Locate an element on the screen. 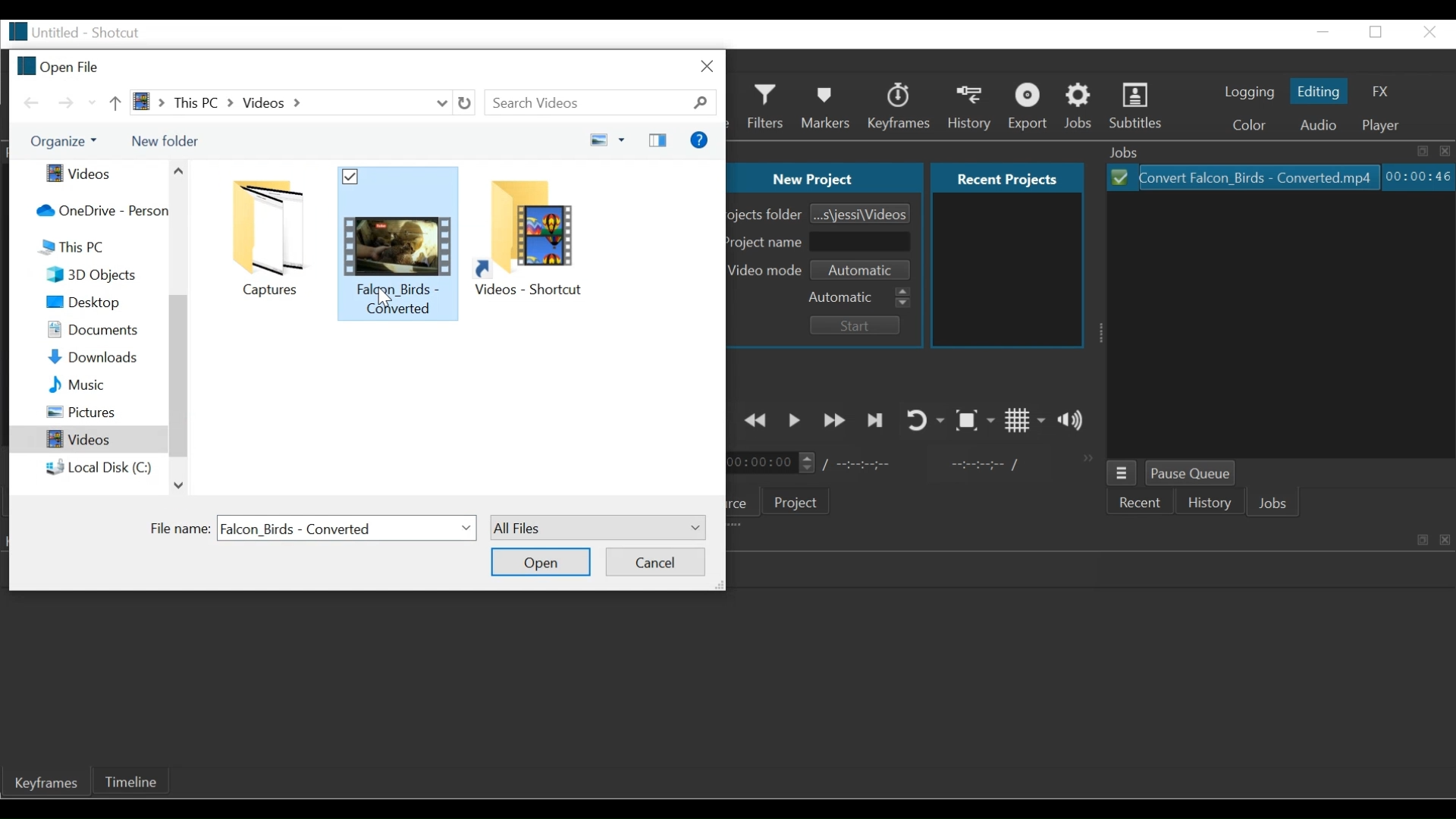 The height and width of the screenshot is (819, 1456). Start is located at coordinates (859, 327).